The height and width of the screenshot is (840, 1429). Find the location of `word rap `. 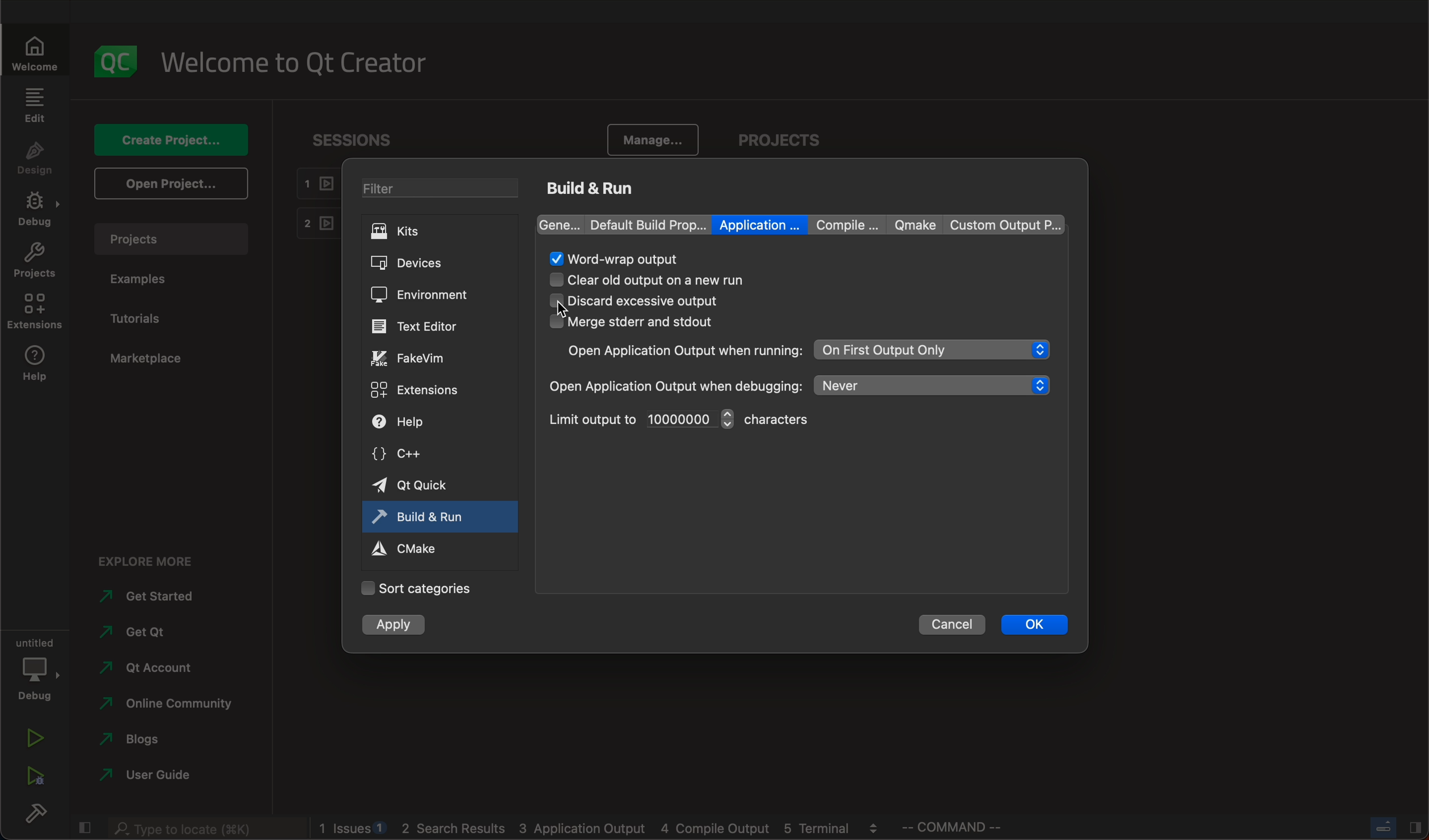

word rap  is located at coordinates (619, 259).